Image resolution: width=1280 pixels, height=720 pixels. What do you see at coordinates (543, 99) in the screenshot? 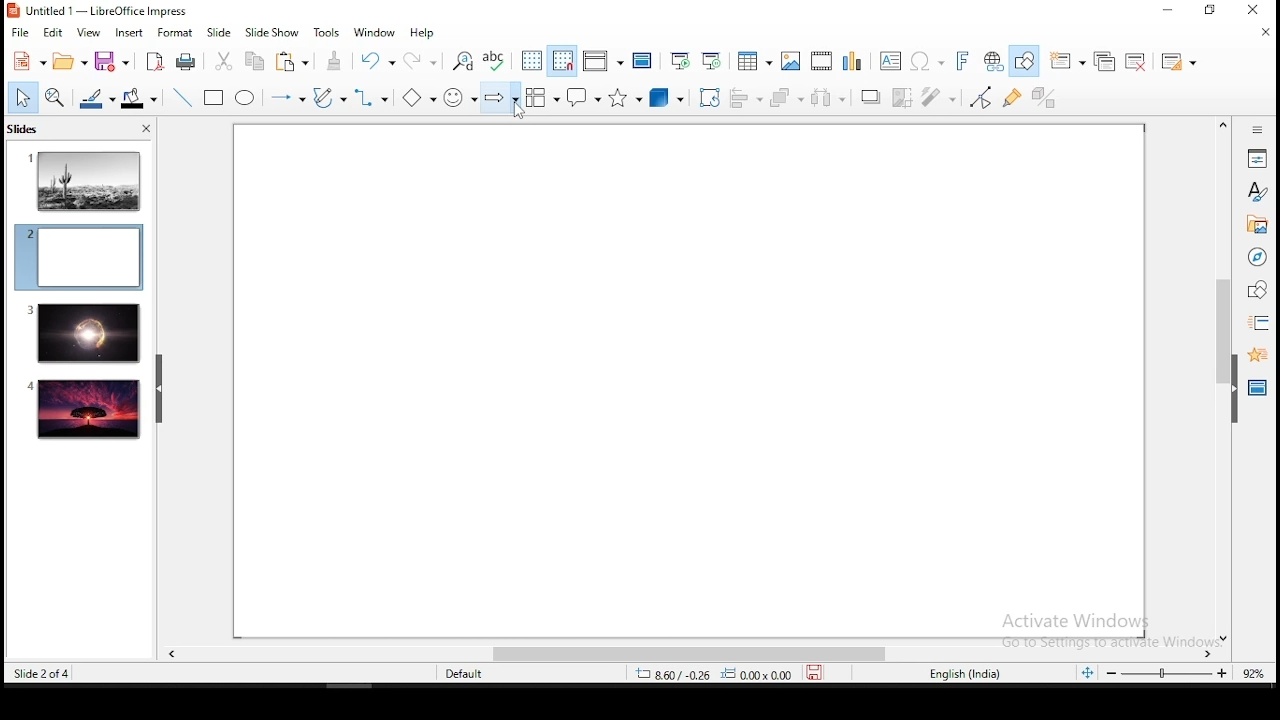
I see `flowchart` at bounding box center [543, 99].